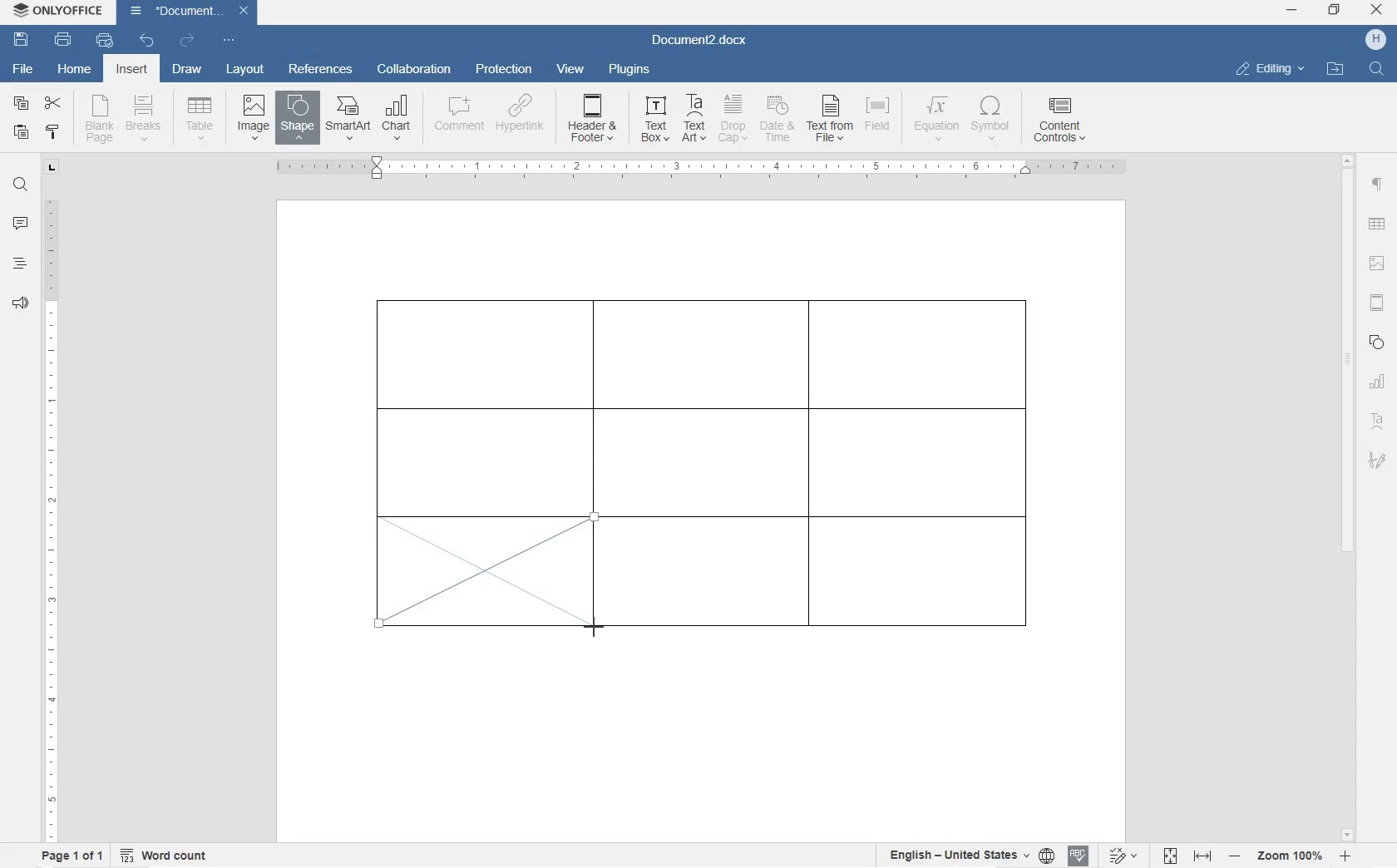 This screenshot has width=1397, height=868. Describe the element at coordinates (832, 121) in the screenshot. I see `TEXT FROM FILE` at that location.